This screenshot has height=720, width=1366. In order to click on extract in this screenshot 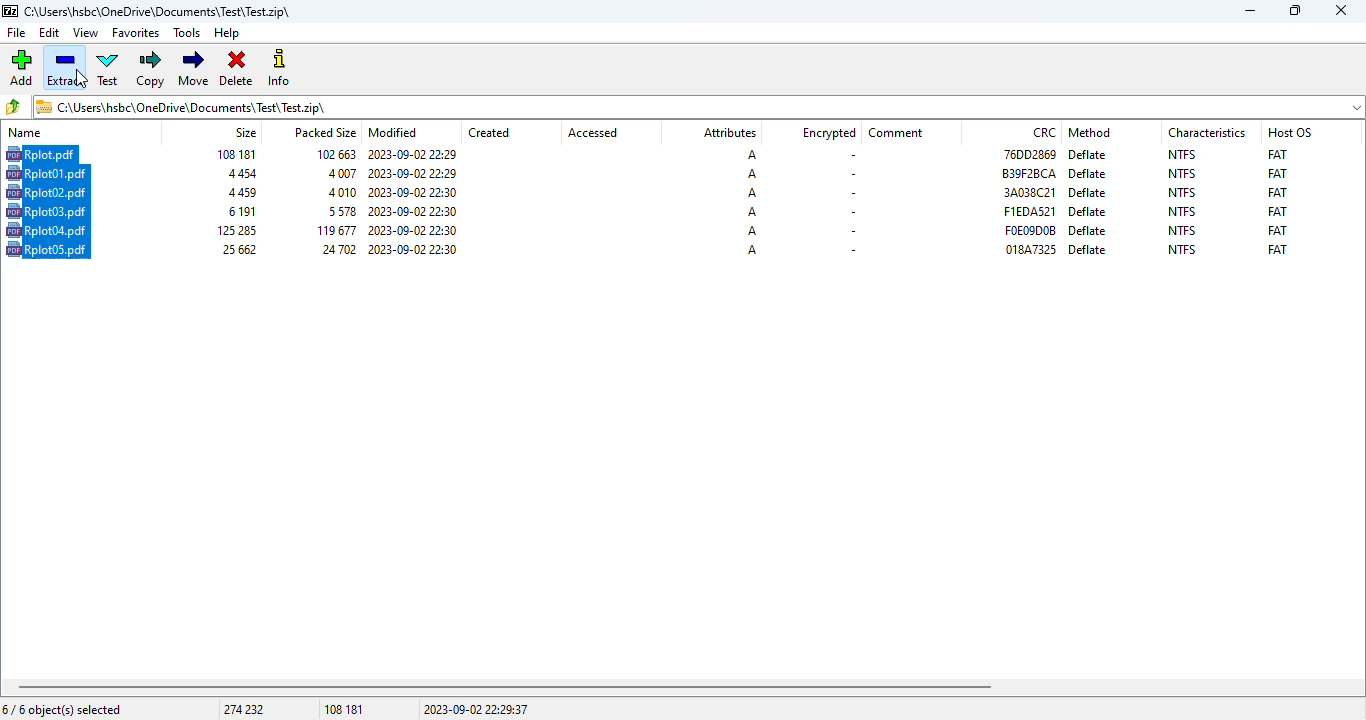, I will do `click(65, 69)`.